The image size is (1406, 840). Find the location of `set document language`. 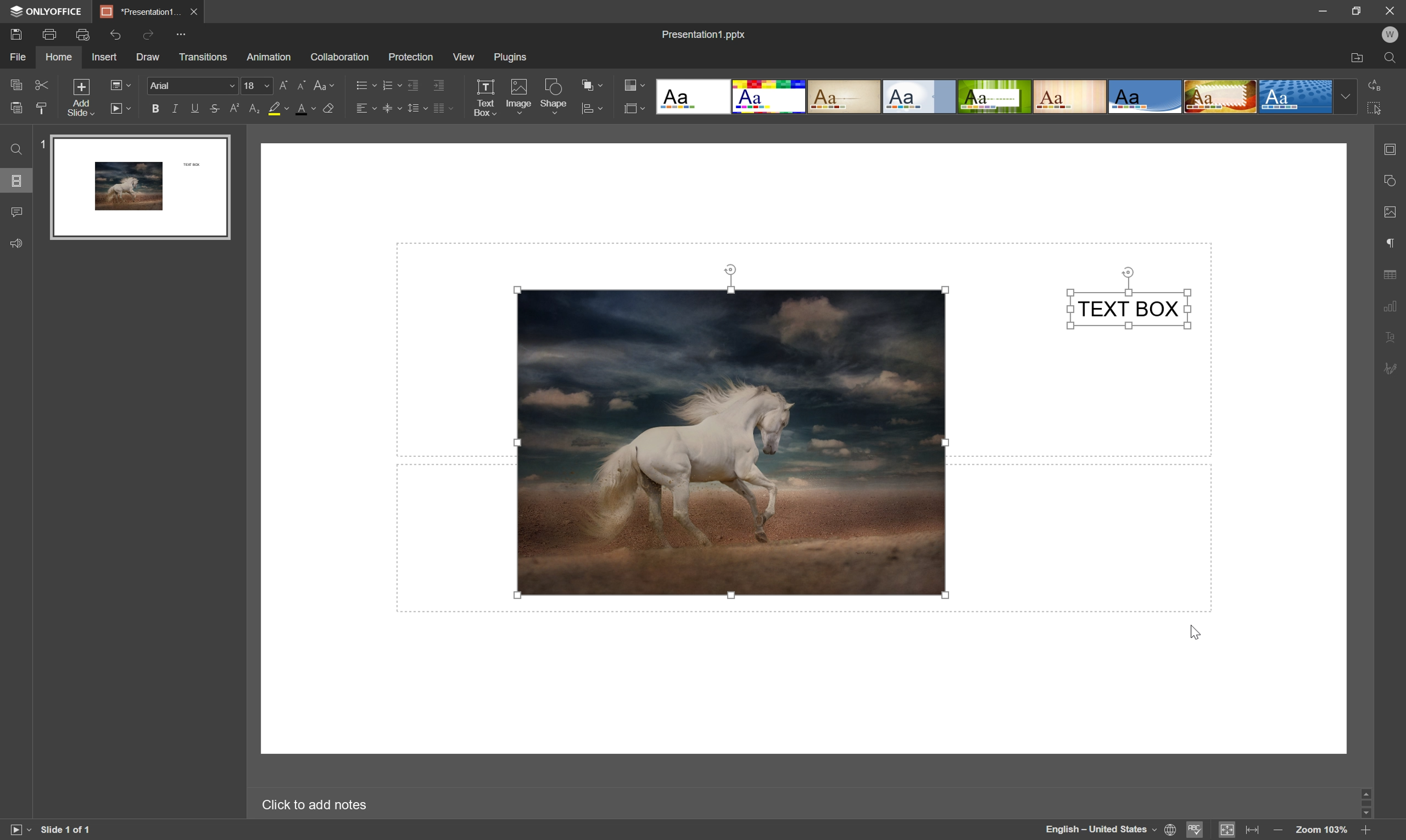

set document language is located at coordinates (1112, 829).